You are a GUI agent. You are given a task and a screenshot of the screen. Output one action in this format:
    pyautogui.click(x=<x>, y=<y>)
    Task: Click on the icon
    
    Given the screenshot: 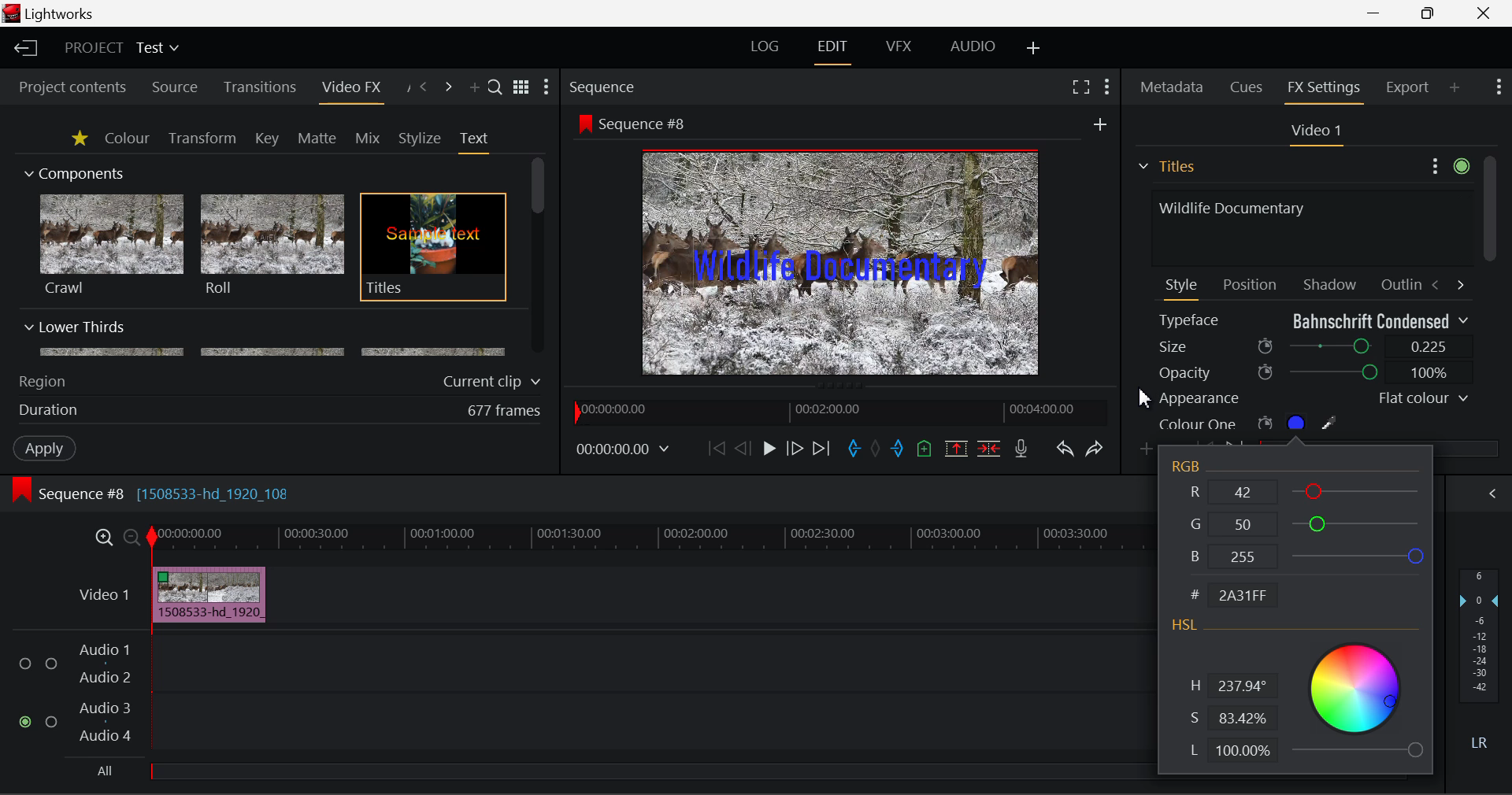 What is the action you would take?
    pyautogui.click(x=20, y=490)
    